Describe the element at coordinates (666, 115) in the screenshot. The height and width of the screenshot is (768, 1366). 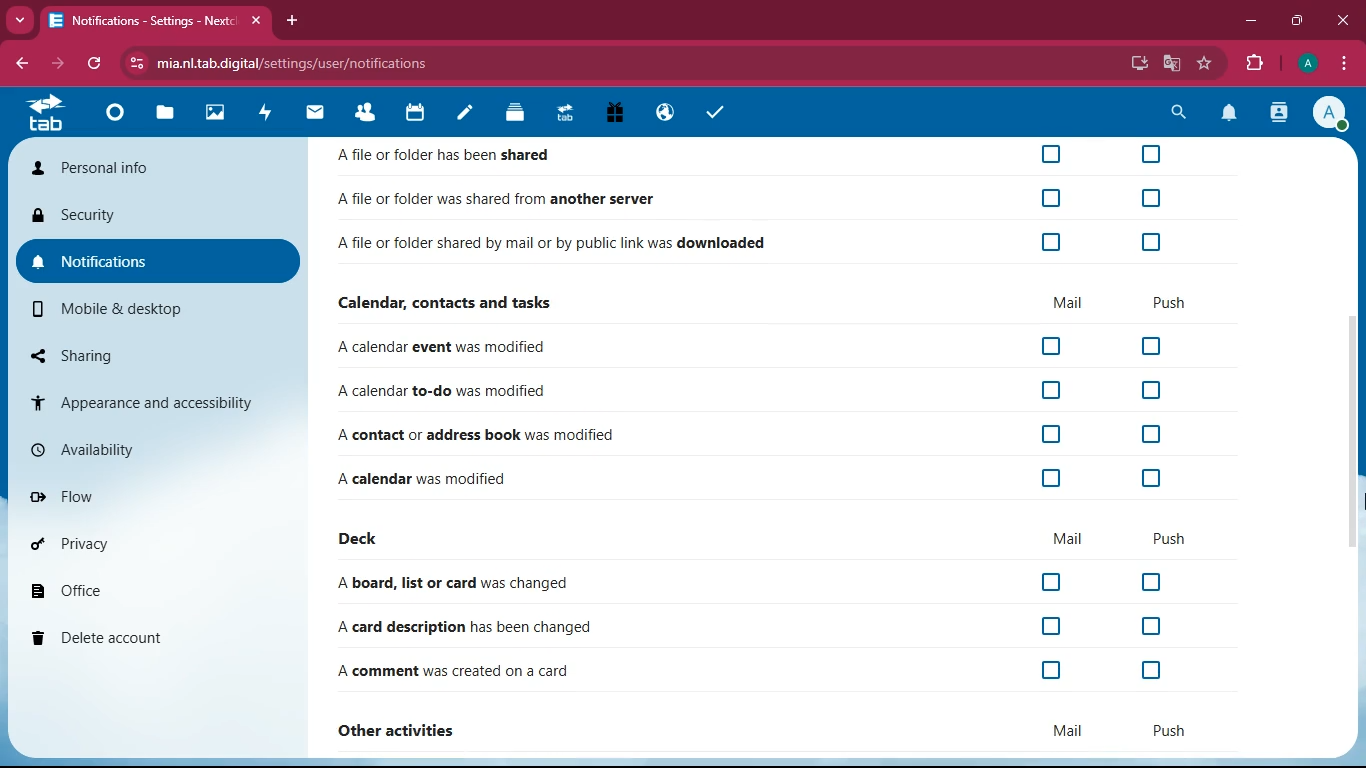
I see `Email Hosting` at that location.